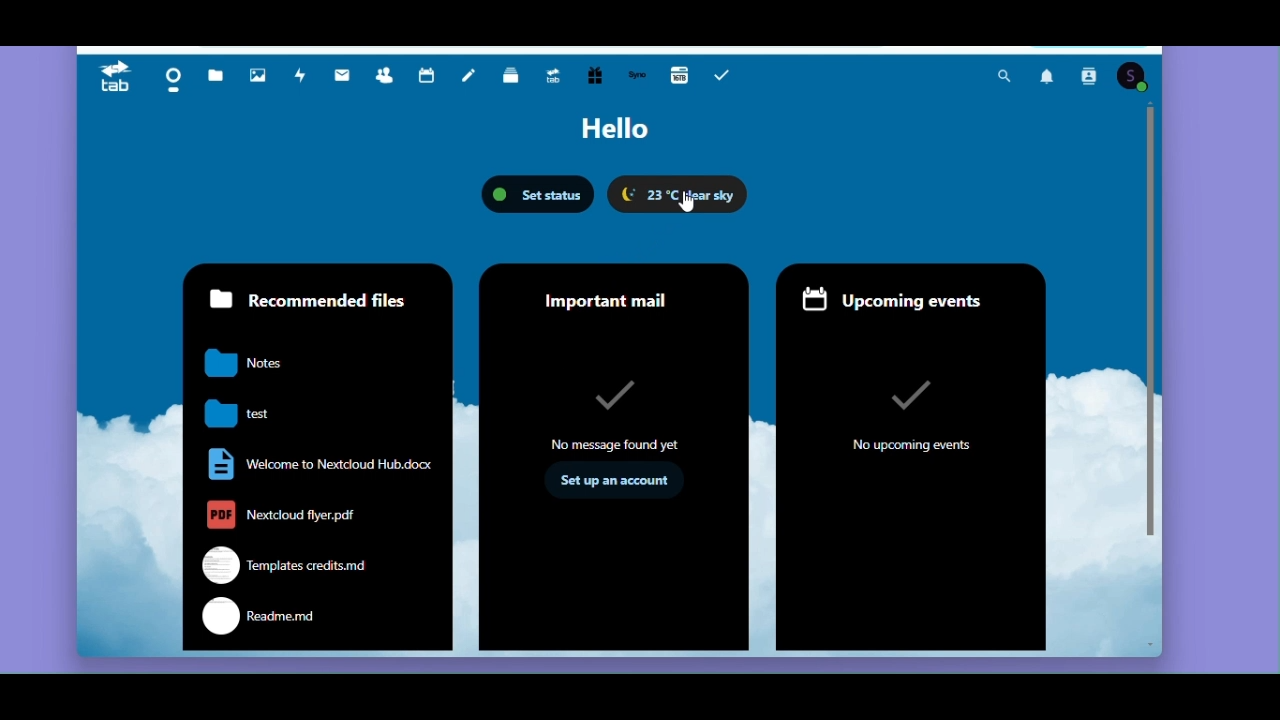 Image resolution: width=1280 pixels, height=720 pixels. Describe the element at coordinates (472, 77) in the screenshot. I see `Notes` at that location.